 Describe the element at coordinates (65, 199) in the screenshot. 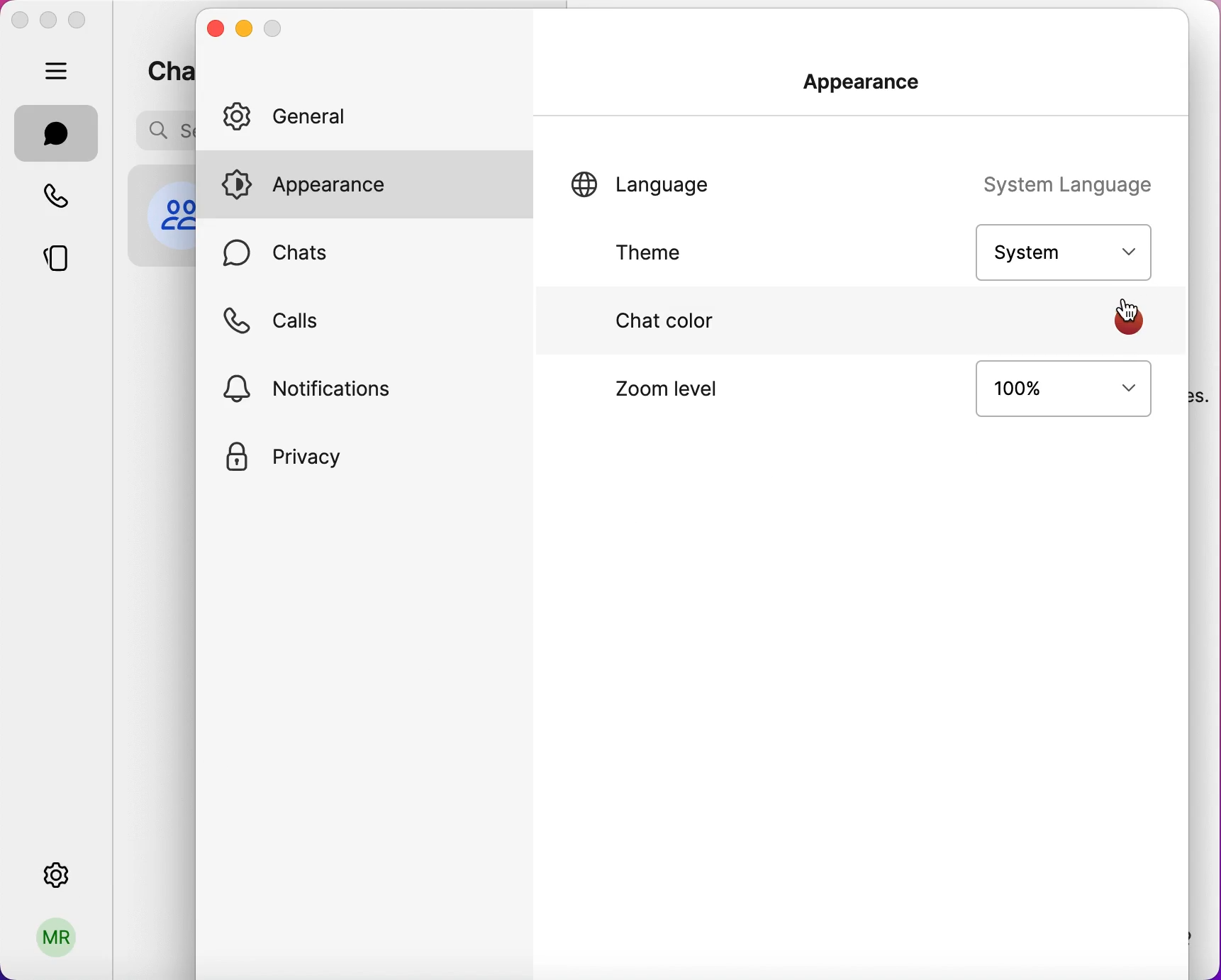

I see `calls` at that location.